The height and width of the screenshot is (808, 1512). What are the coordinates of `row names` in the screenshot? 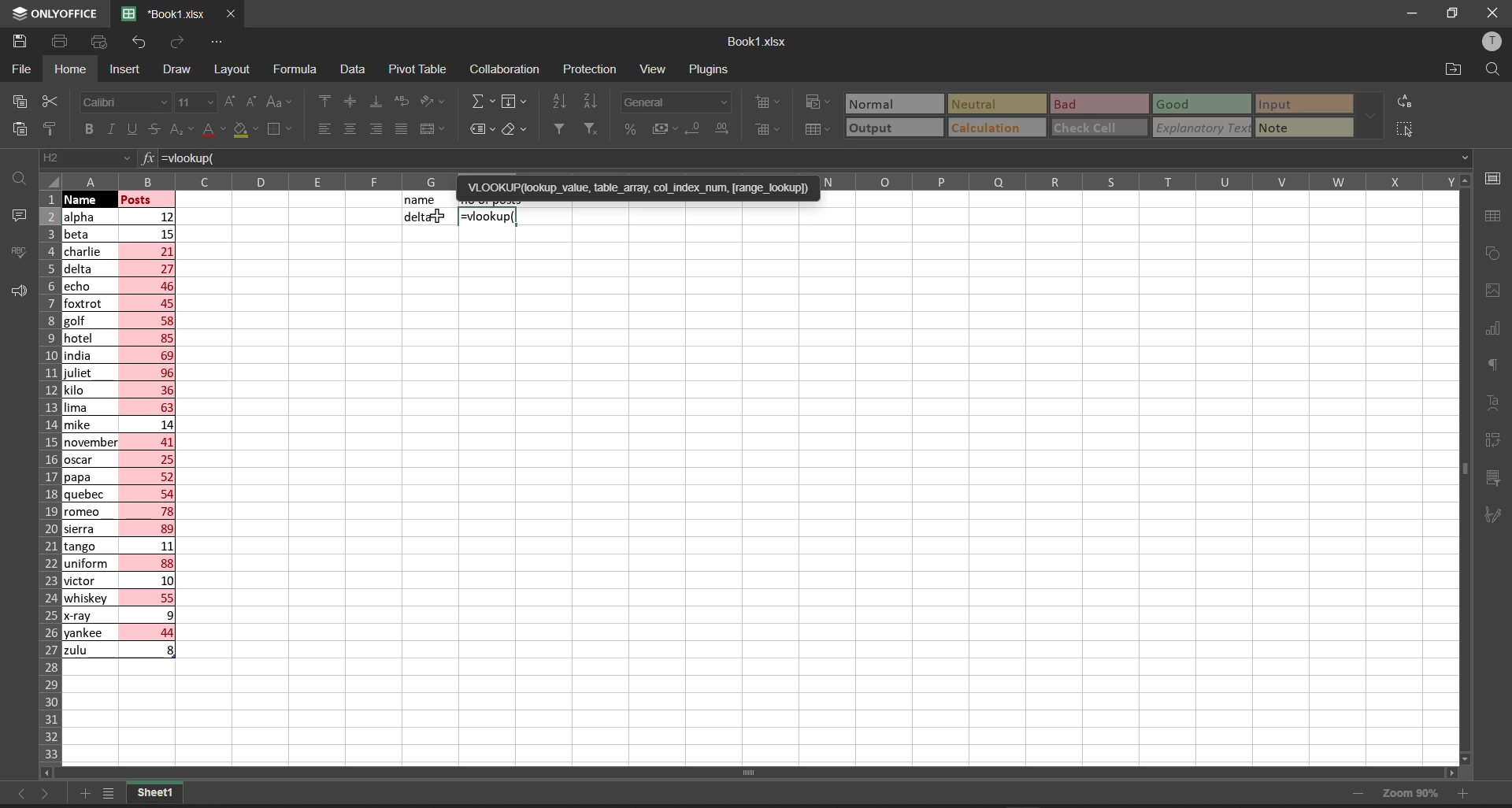 It's located at (46, 480).